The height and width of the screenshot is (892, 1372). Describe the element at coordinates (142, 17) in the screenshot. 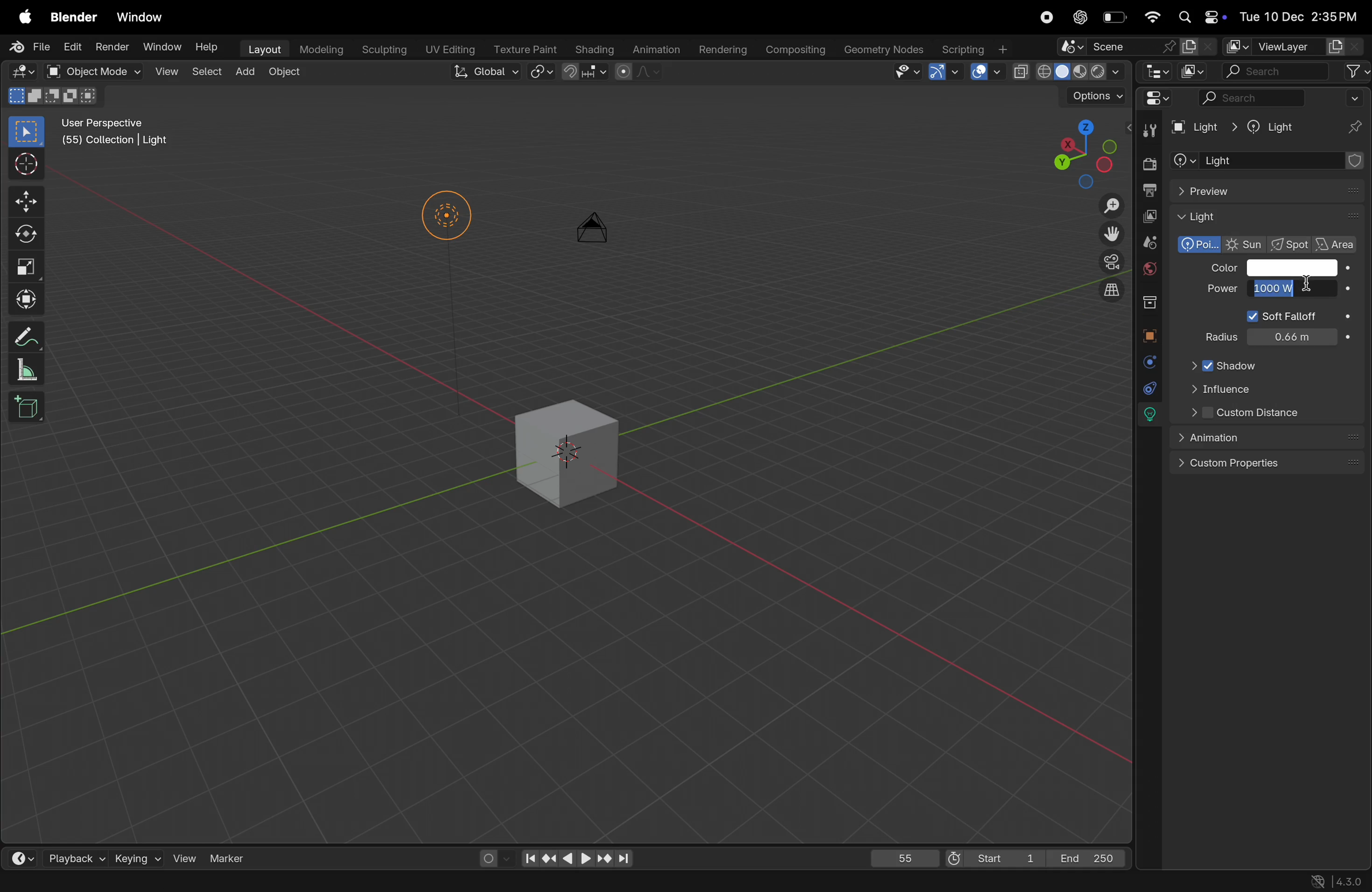

I see `window` at that location.